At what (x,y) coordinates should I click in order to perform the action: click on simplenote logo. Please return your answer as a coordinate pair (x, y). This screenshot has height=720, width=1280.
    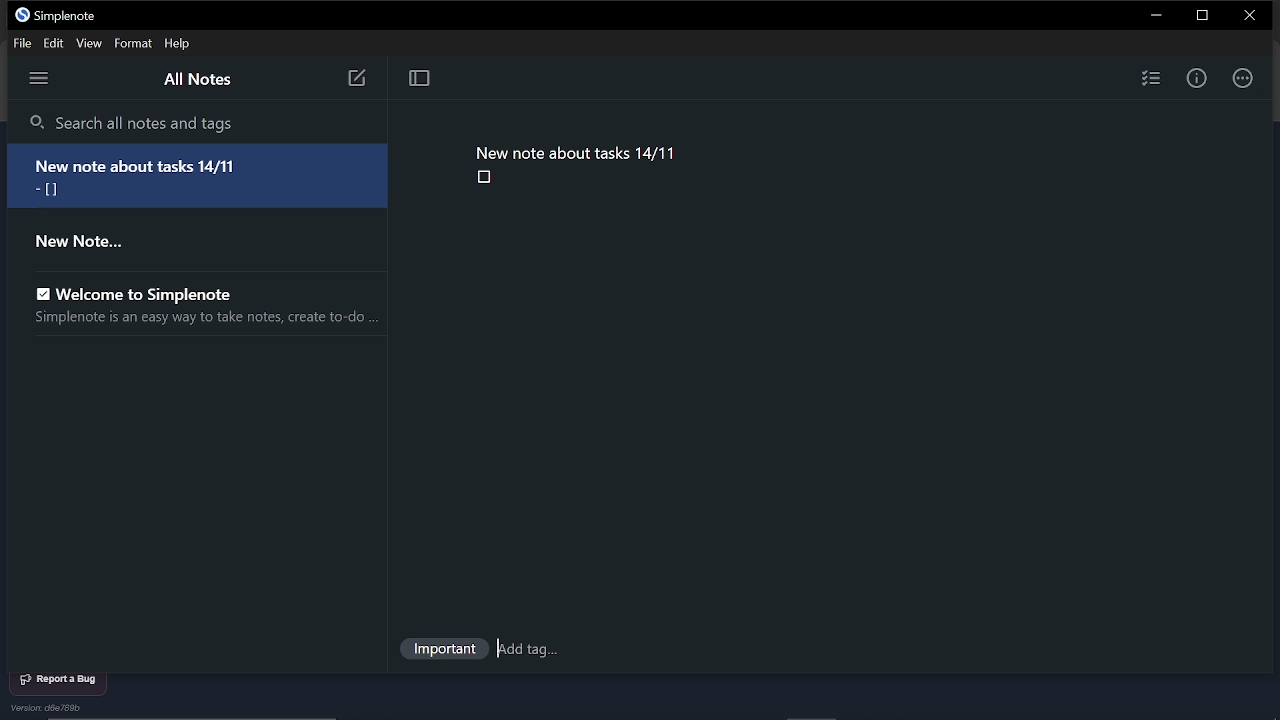
    Looking at the image, I should click on (20, 16).